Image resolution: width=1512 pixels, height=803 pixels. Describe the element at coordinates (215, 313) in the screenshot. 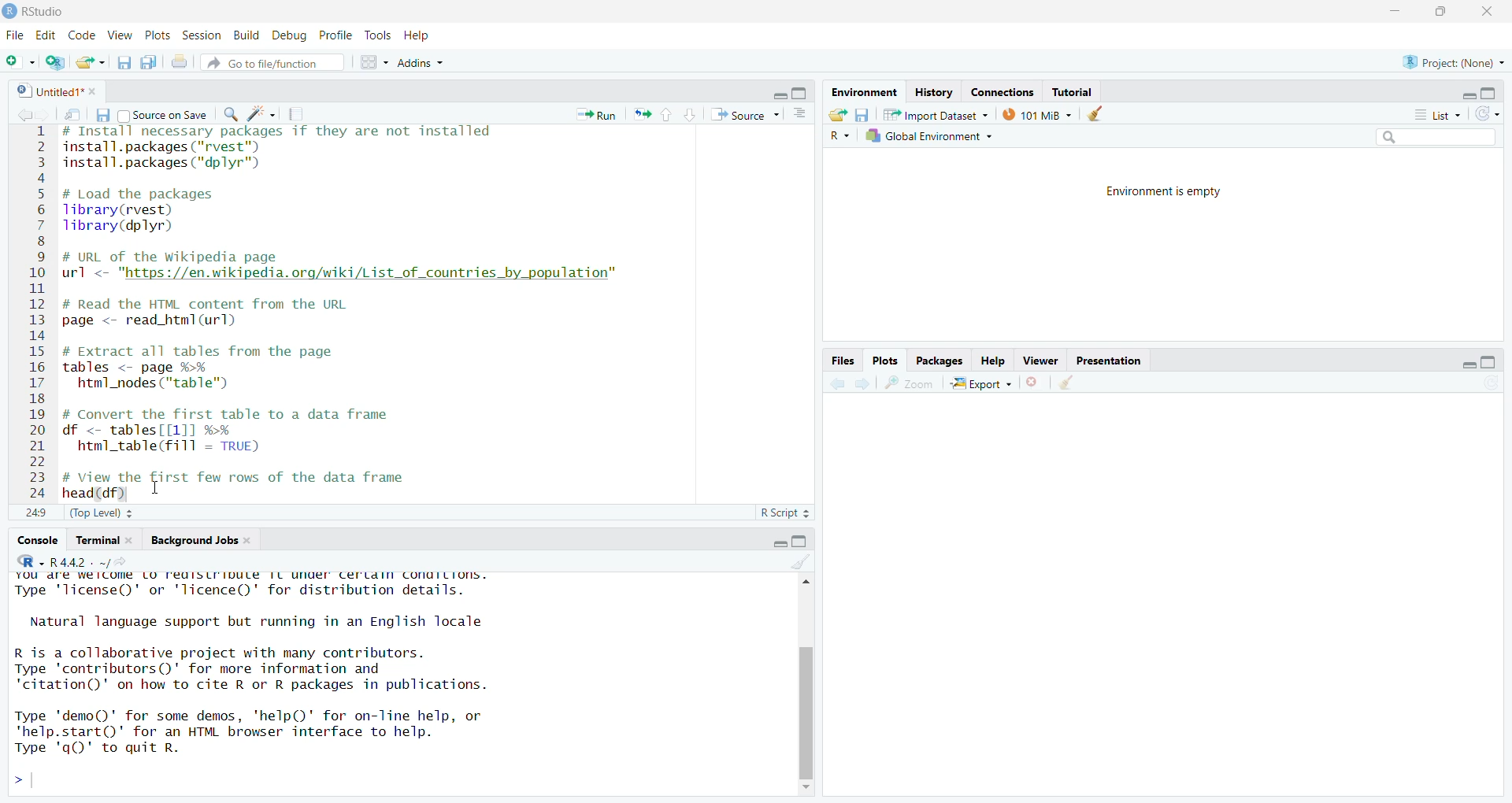

I see `# Read the HTML content from the URL page <- read_html (url)` at that location.